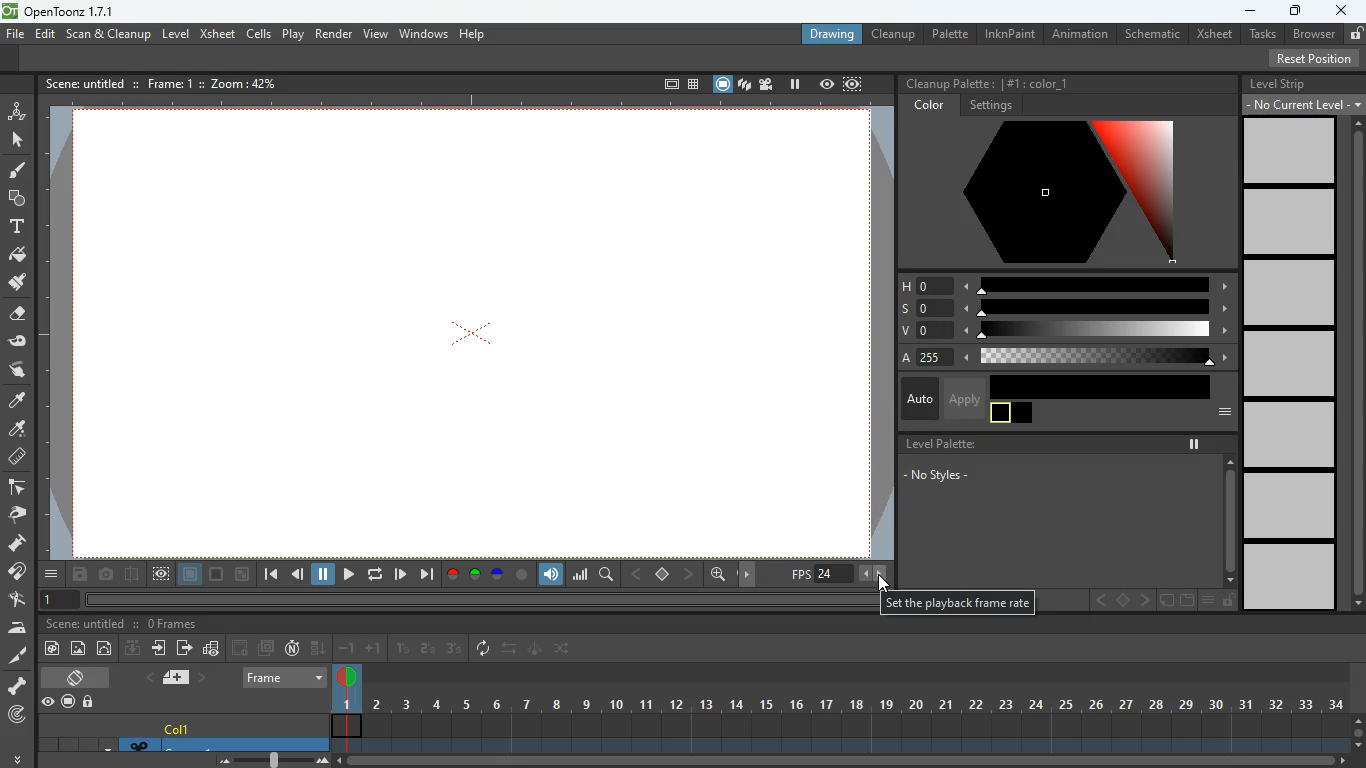 Image resolution: width=1366 pixels, height=768 pixels. Describe the element at coordinates (1214, 33) in the screenshot. I see `xsheet` at that location.